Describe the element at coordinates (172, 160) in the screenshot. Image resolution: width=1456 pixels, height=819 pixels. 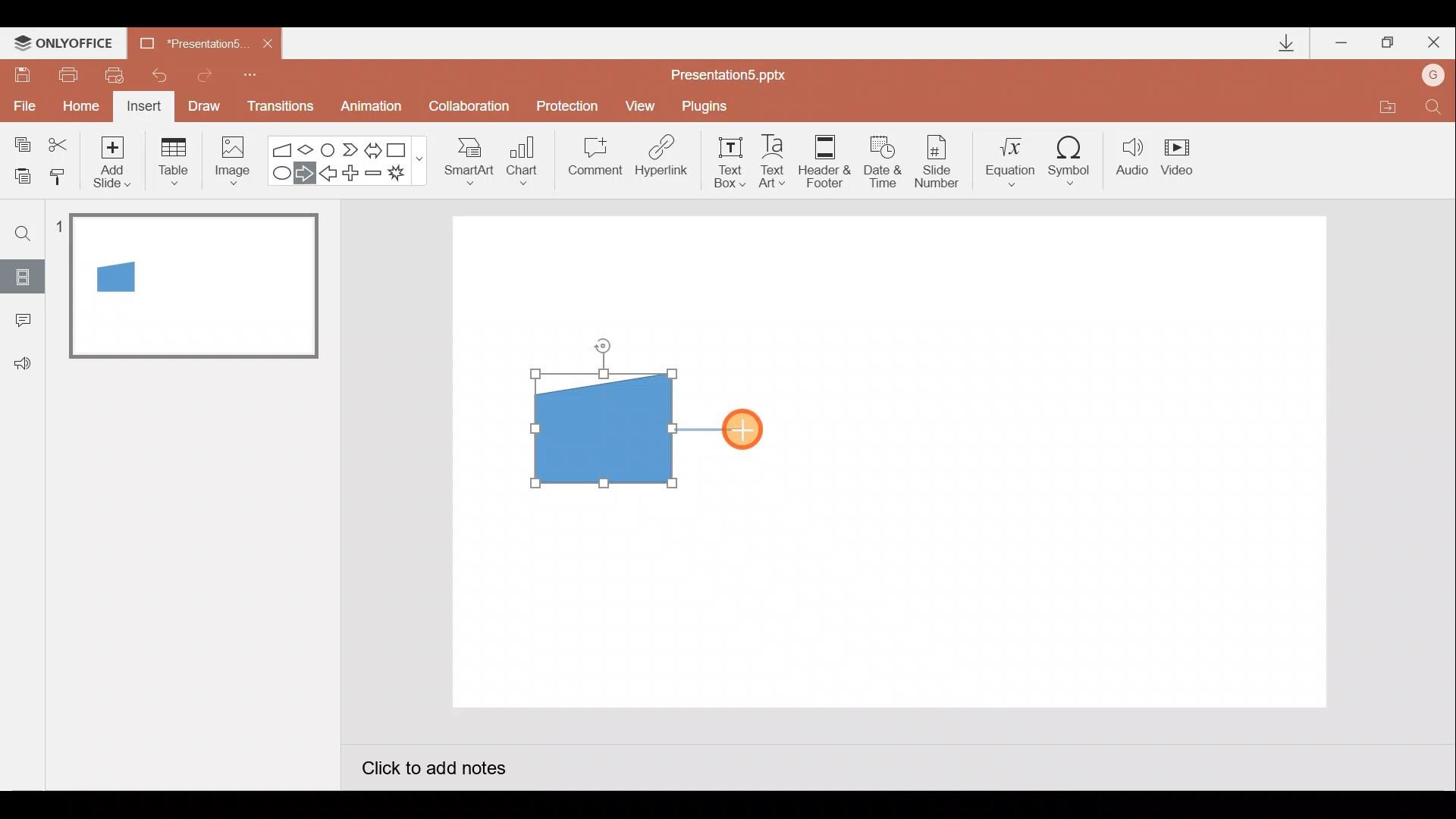
I see `Table` at that location.